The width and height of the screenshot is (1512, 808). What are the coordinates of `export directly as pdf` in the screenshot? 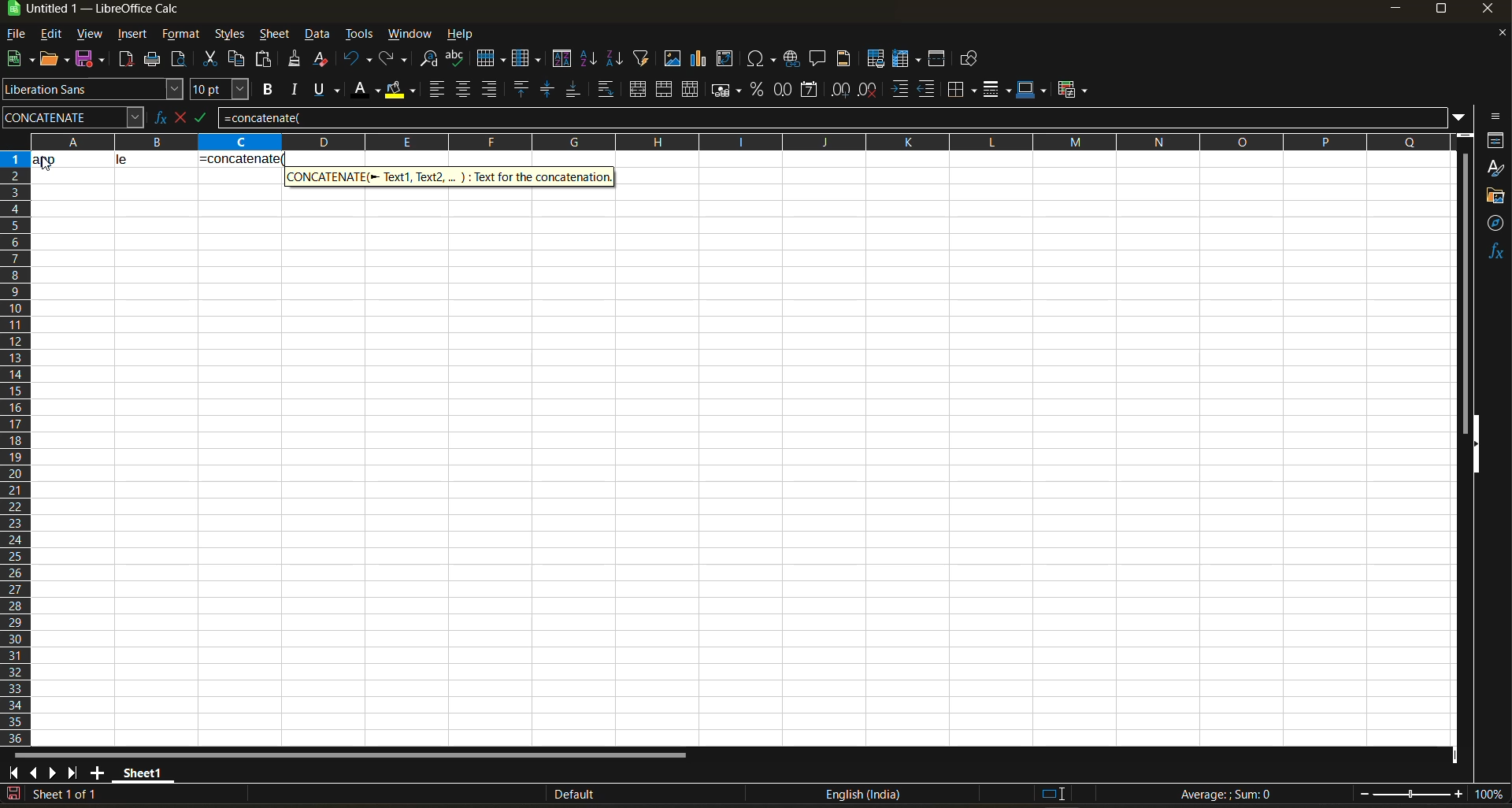 It's located at (125, 61).